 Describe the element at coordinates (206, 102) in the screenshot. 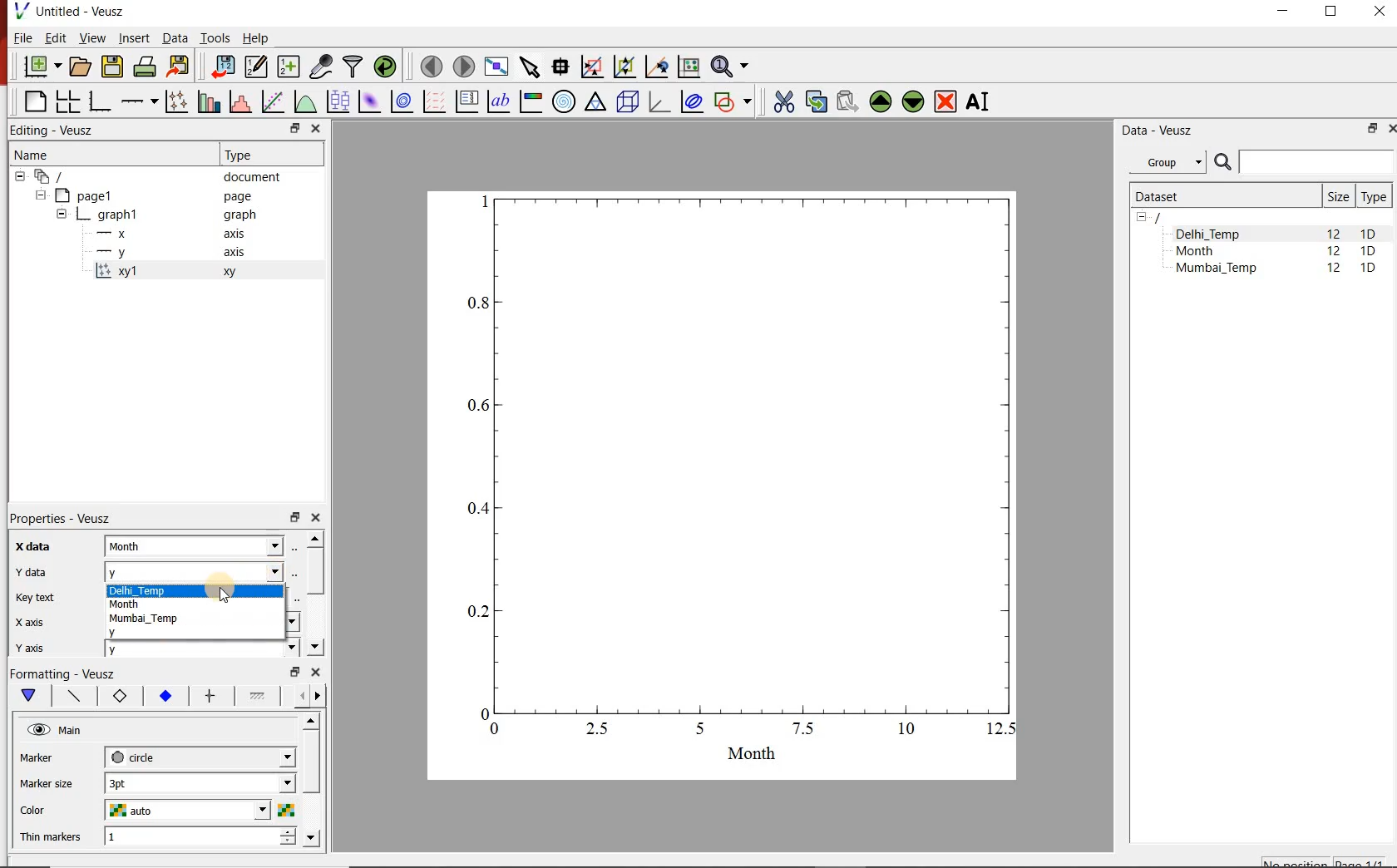

I see `plot bar charts` at that location.